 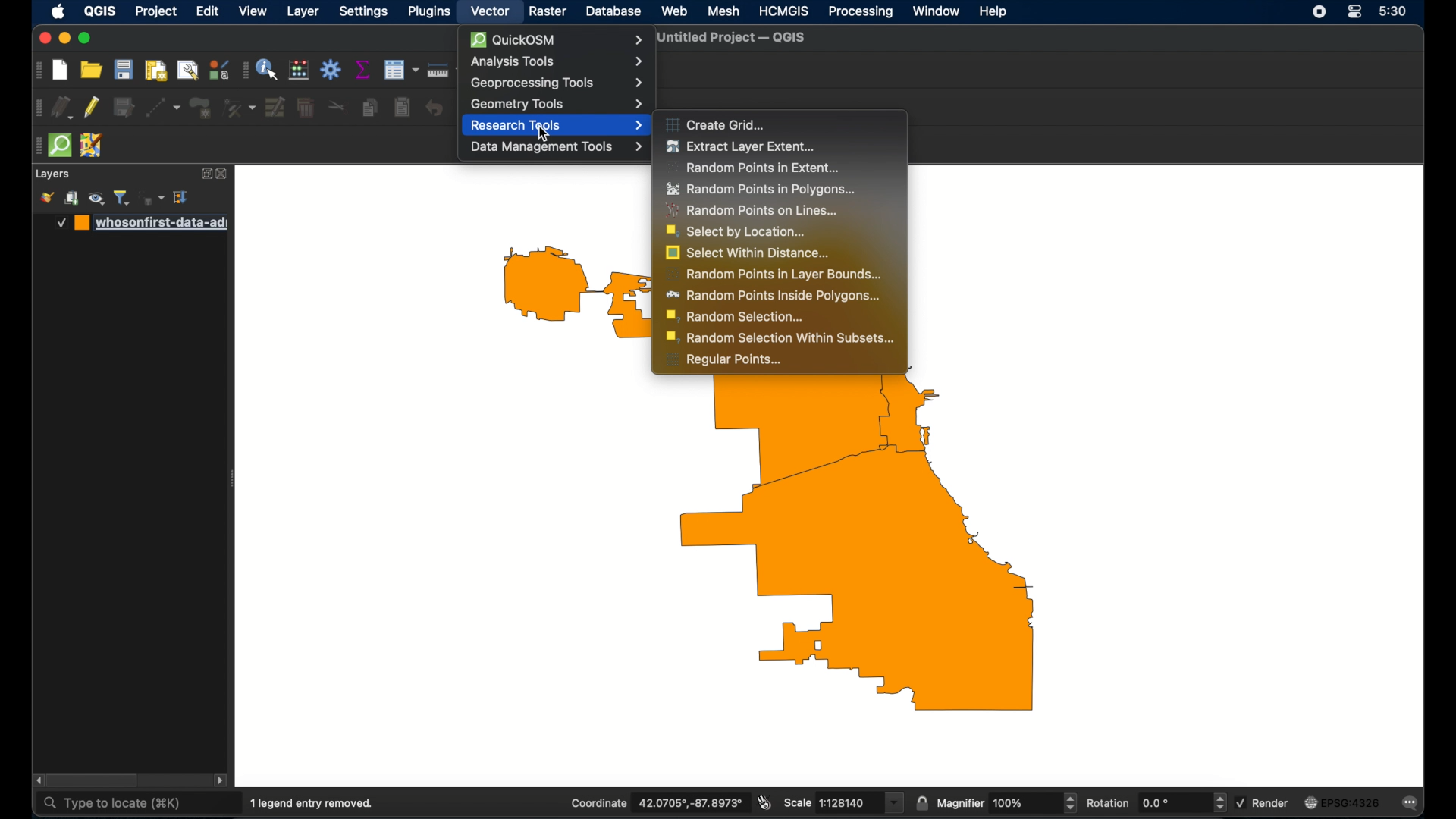 What do you see at coordinates (370, 108) in the screenshot?
I see `copy feature` at bounding box center [370, 108].